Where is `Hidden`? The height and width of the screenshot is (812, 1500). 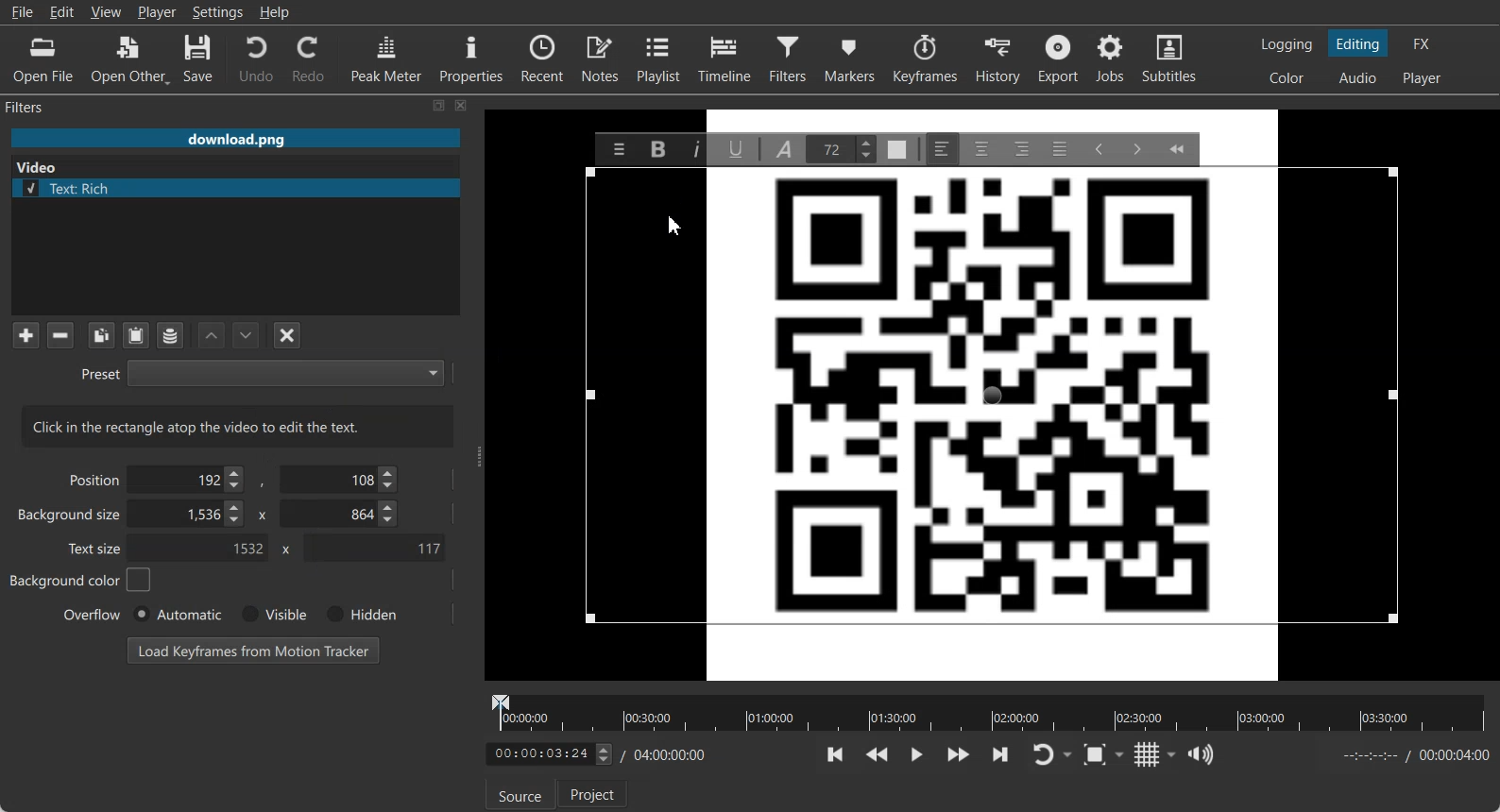 Hidden is located at coordinates (358, 614).